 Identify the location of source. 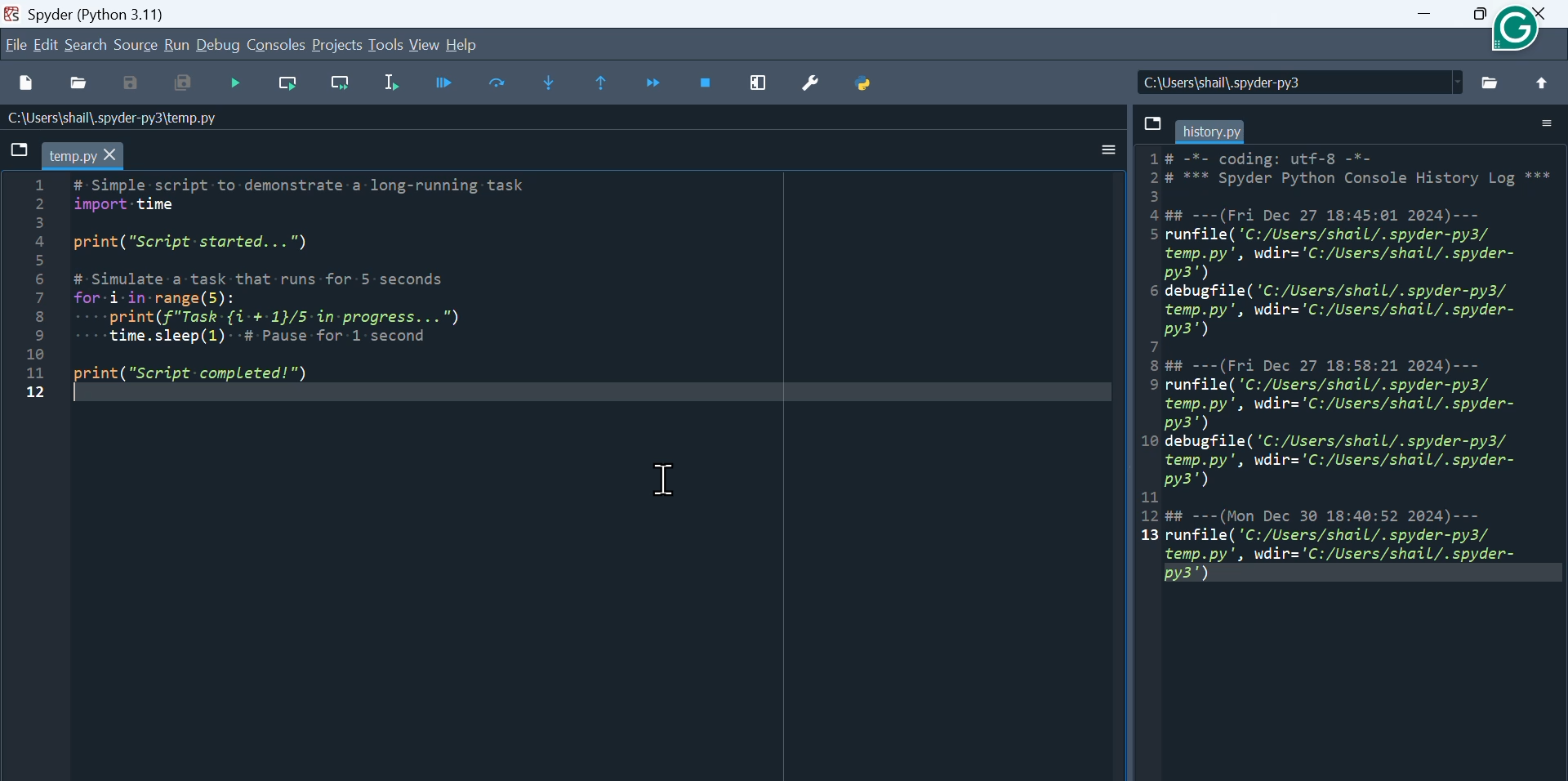
(136, 45).